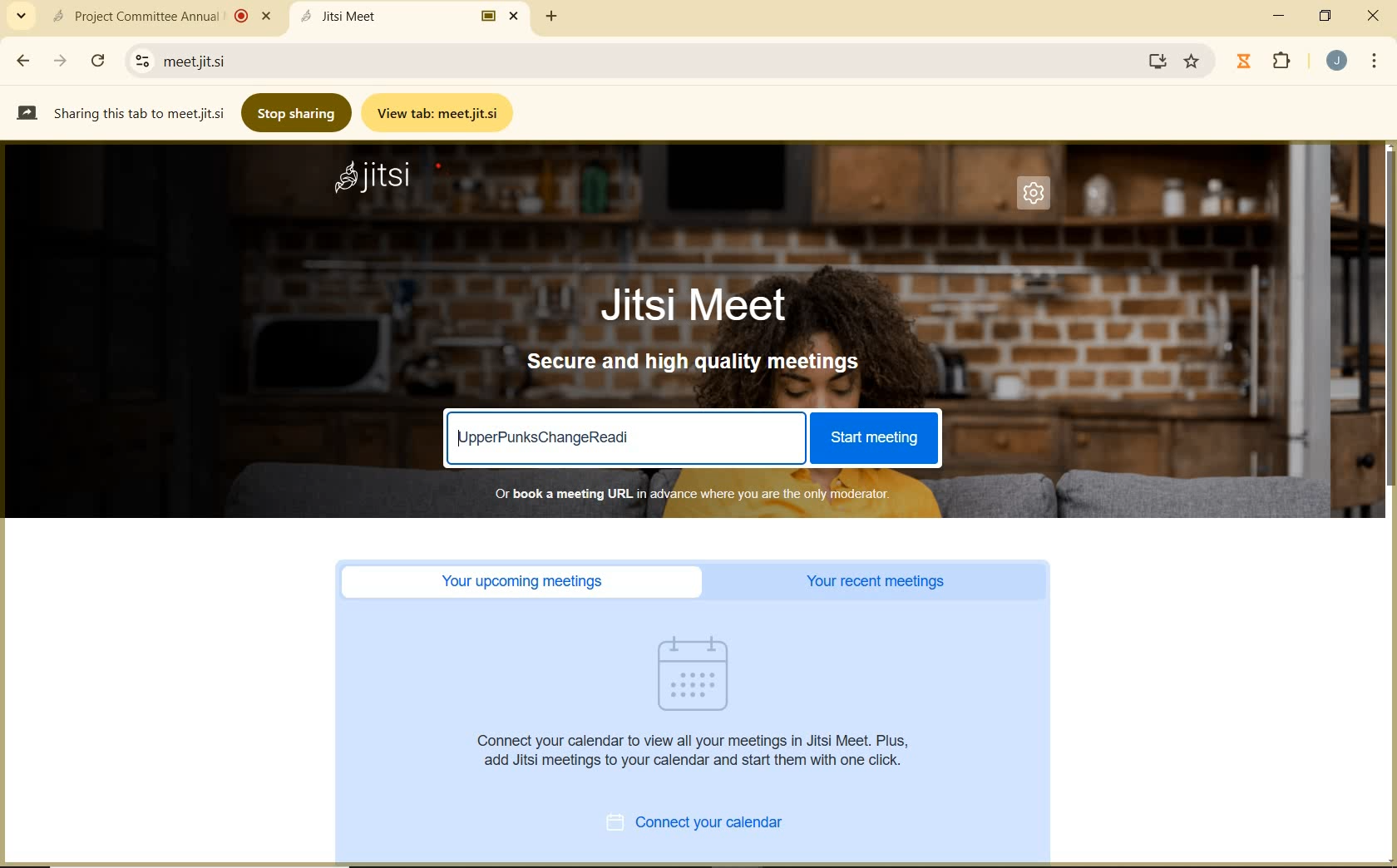  Describe the element at coordinates (139, 61) in the screenshot. I see `settings` at that location.